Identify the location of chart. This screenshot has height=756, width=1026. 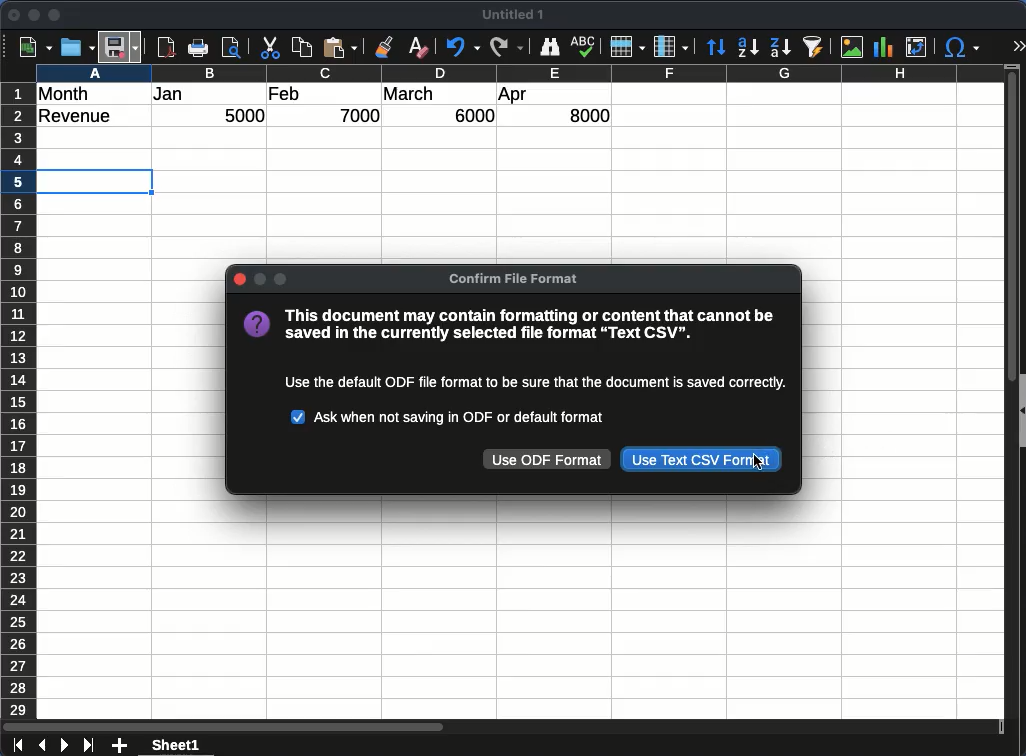
(881, 46).